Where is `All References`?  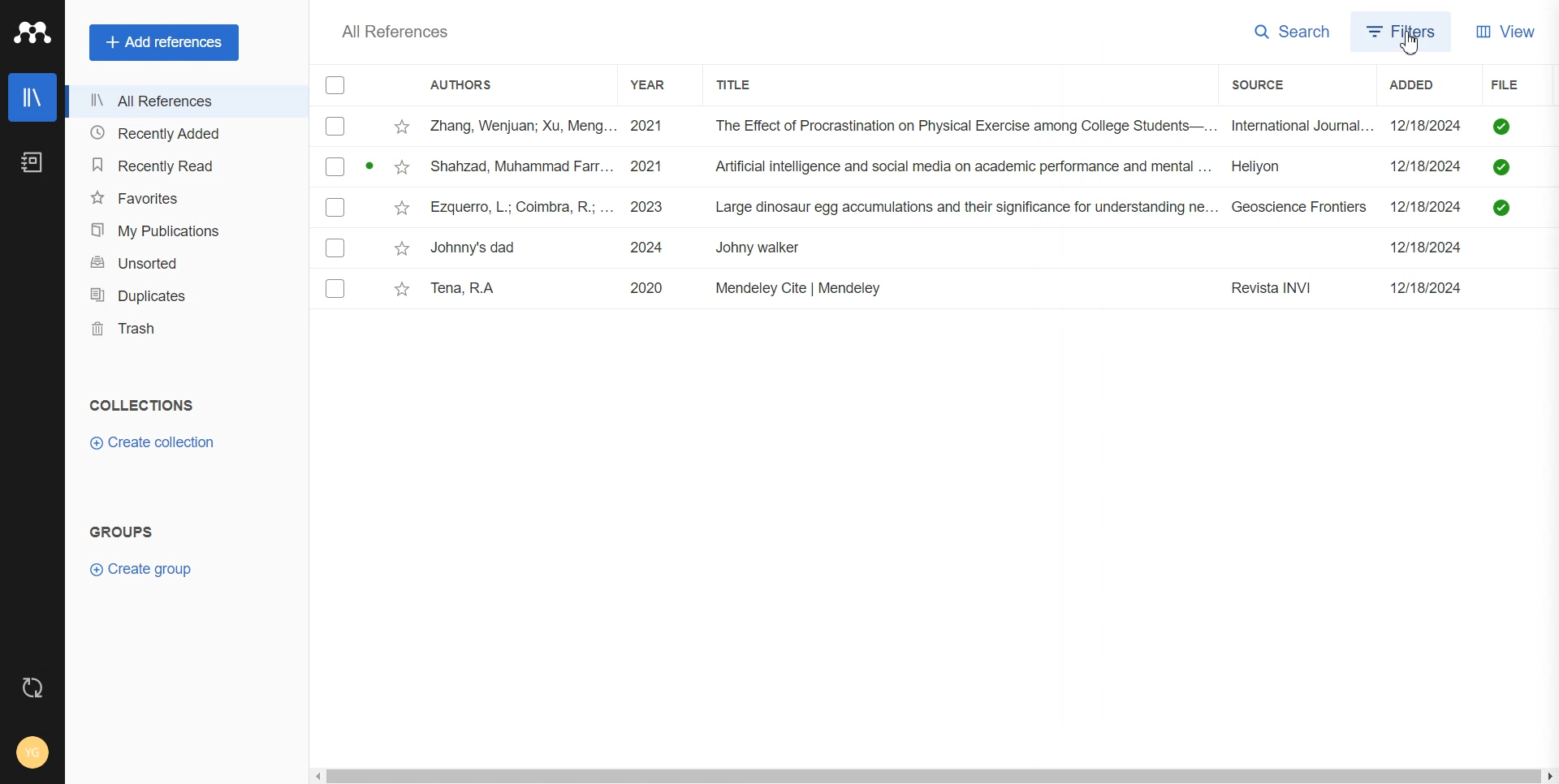 All References is located at coordinates (184, 102).